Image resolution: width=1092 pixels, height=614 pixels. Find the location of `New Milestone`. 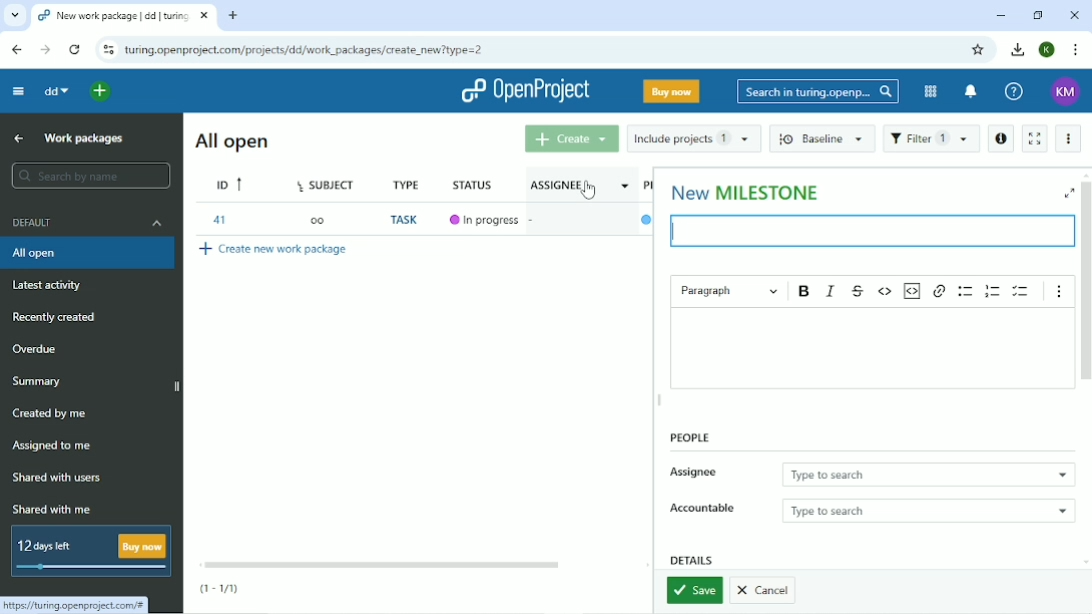

New Milestone is located at coordinates (746, 191).